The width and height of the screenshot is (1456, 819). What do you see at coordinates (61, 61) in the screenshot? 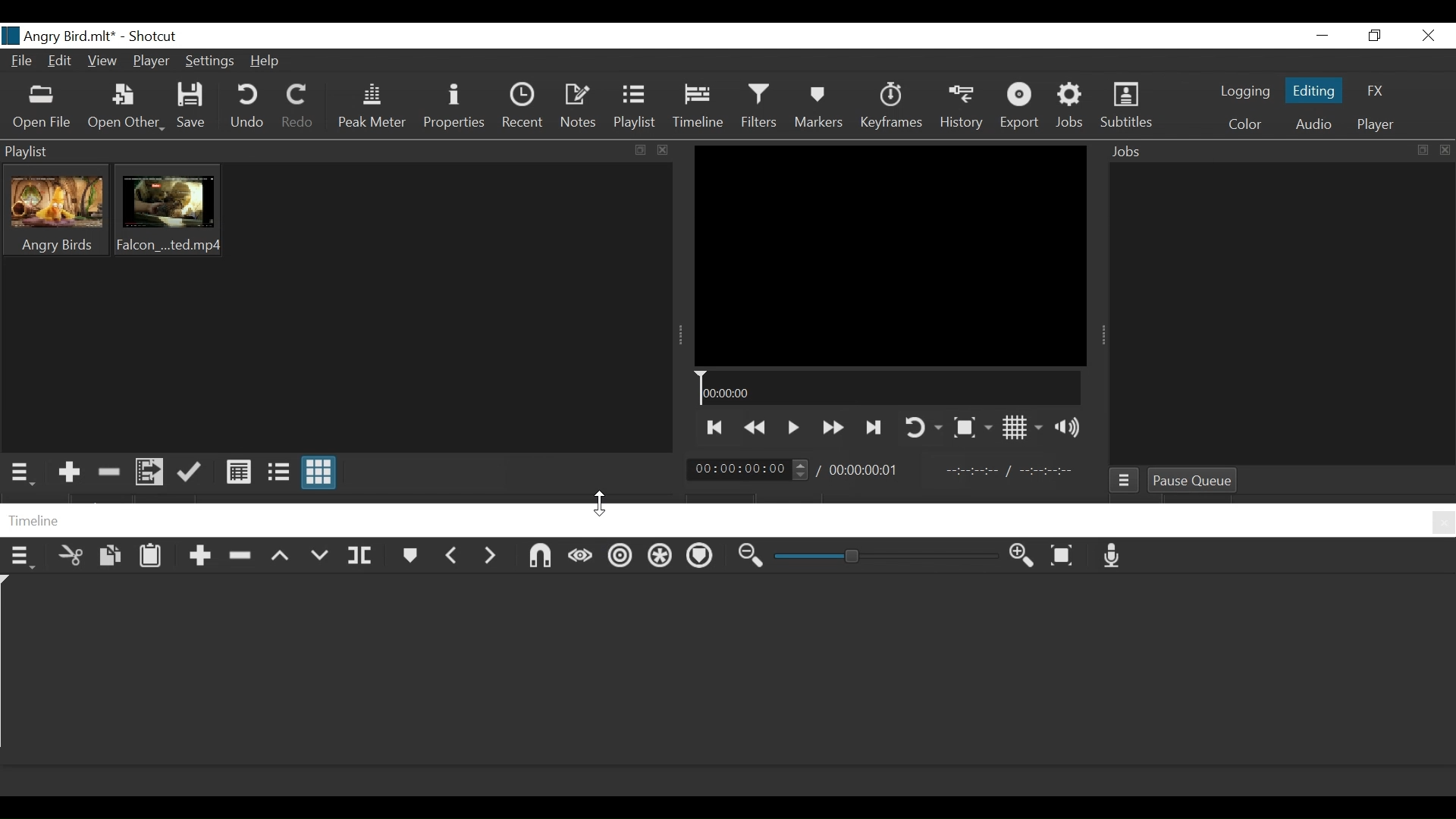
I see `Edit` at bounding box center [61, 61].